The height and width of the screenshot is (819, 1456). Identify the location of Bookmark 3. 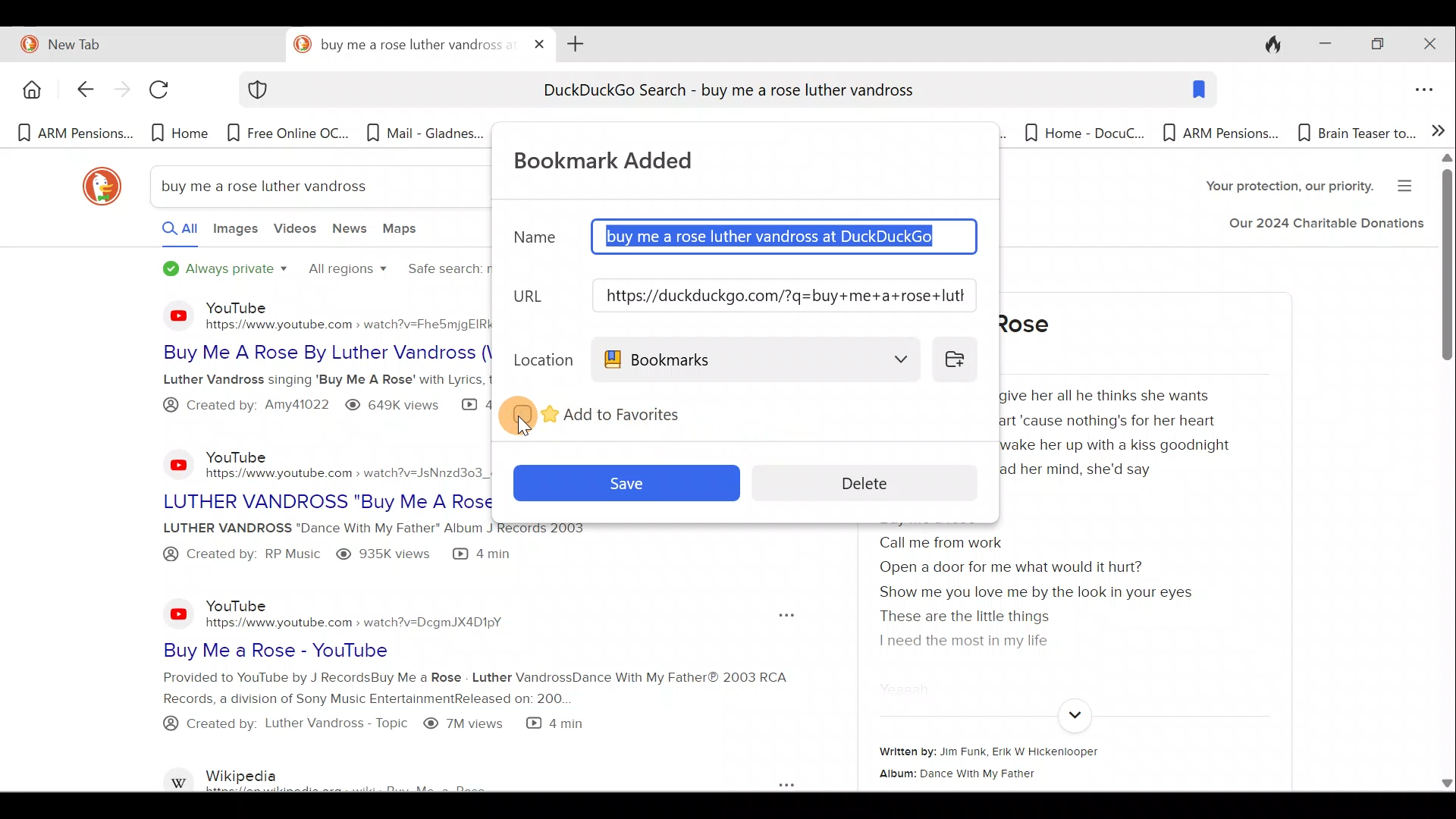
(290, 133).